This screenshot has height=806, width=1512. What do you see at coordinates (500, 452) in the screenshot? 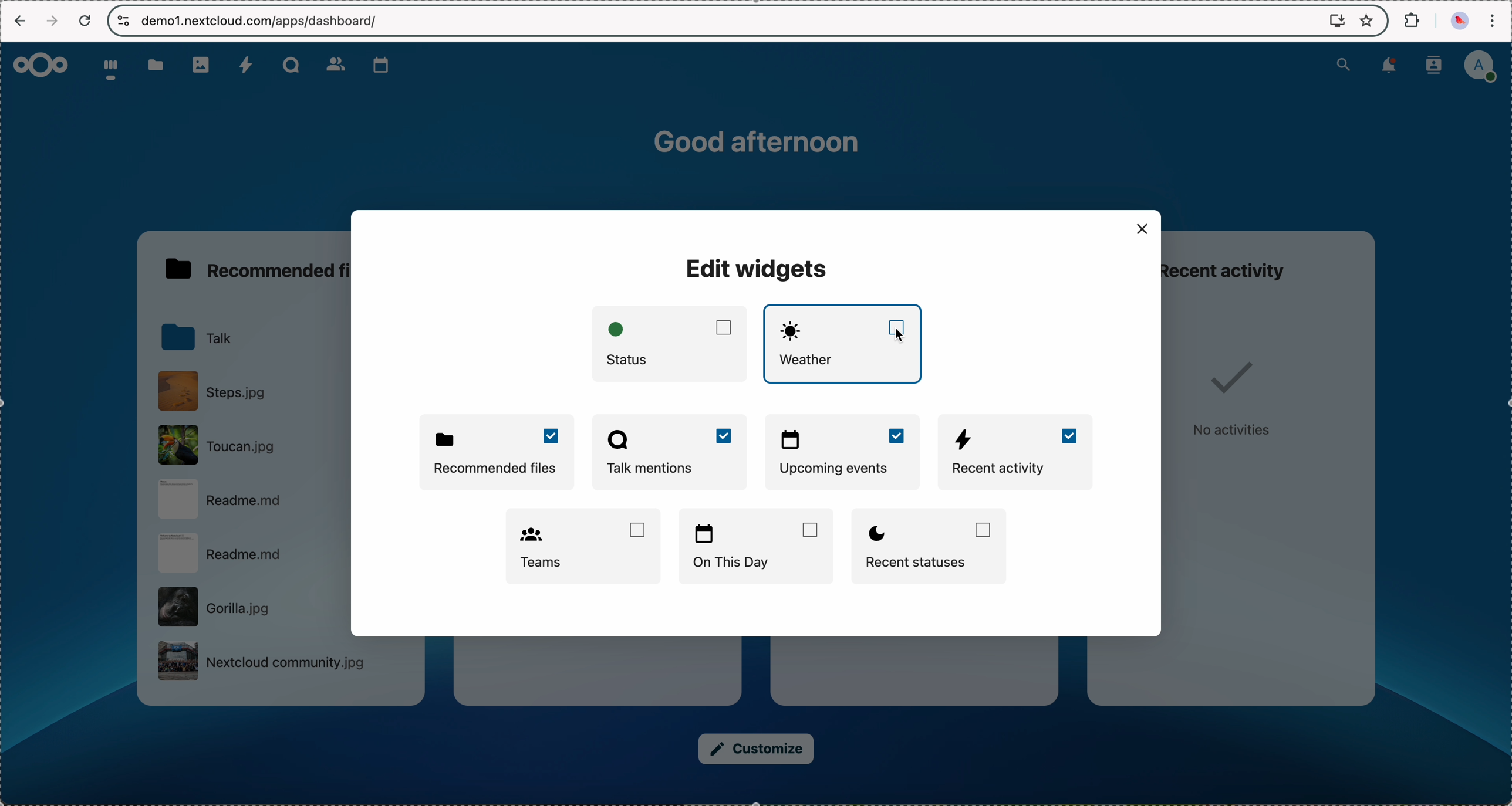
I see `enable recommended files` at bounding box center [500, 452].